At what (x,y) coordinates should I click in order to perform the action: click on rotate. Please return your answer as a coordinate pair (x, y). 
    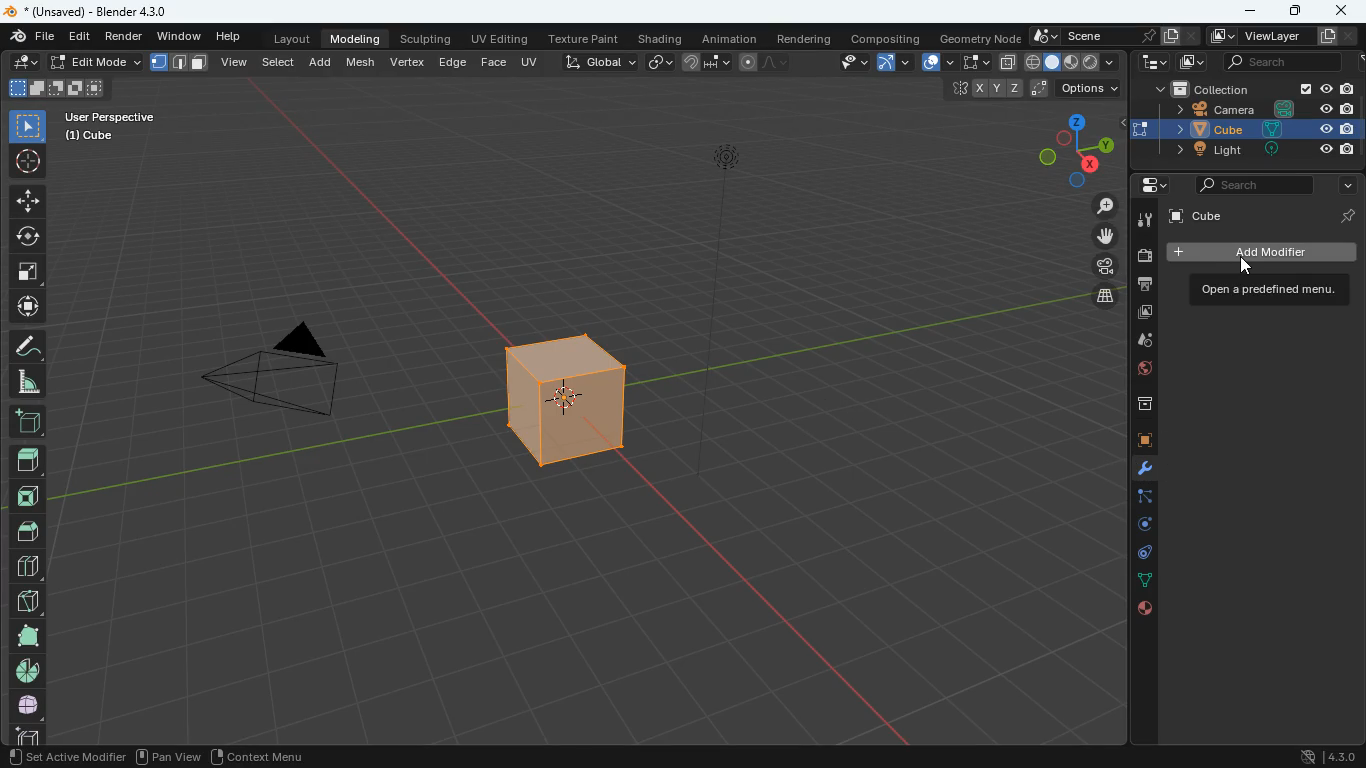
    Looking at the image, I should click on (26, 236).